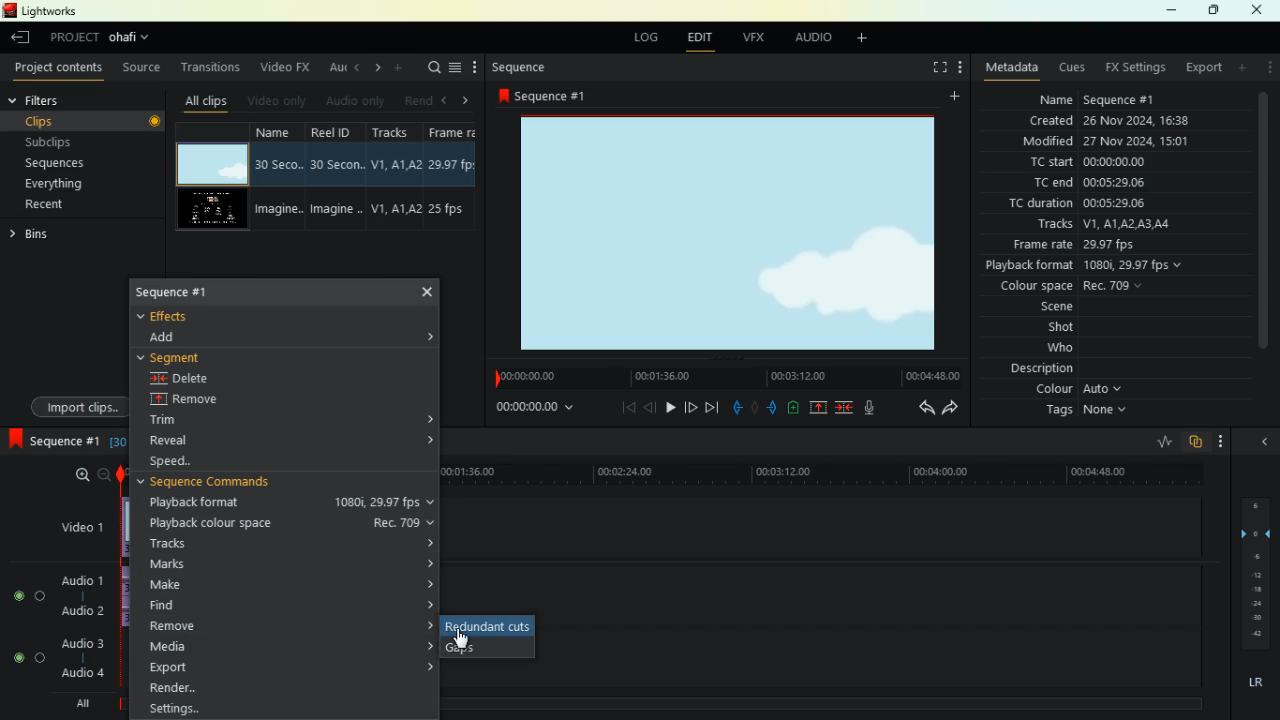 This screenshot has width=1280, height=720. I want to click on all clips, so click(205, 103).